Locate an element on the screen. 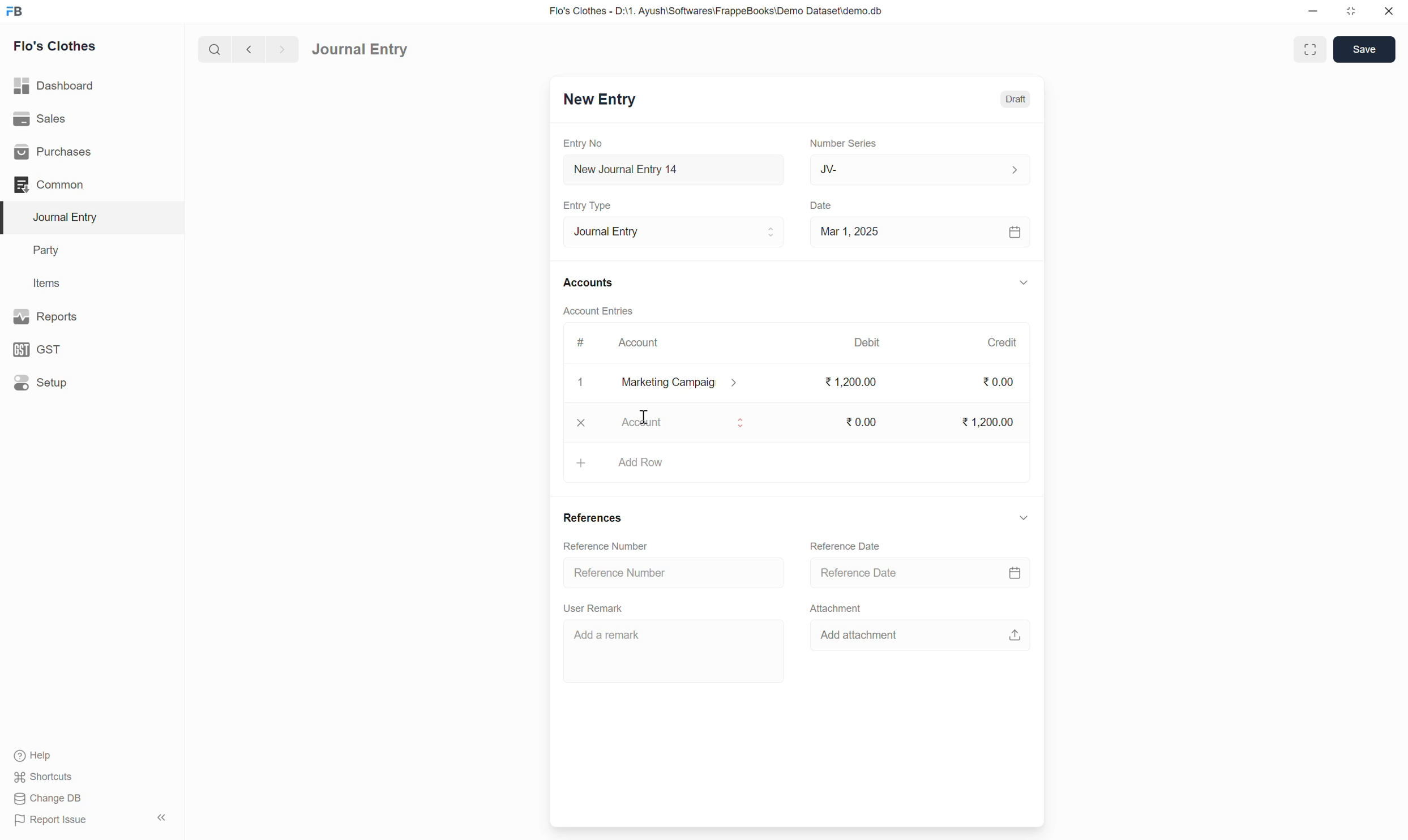 The width and height of the screenshot is (1408, 840). calendar is located at coordinates (1016, 233).